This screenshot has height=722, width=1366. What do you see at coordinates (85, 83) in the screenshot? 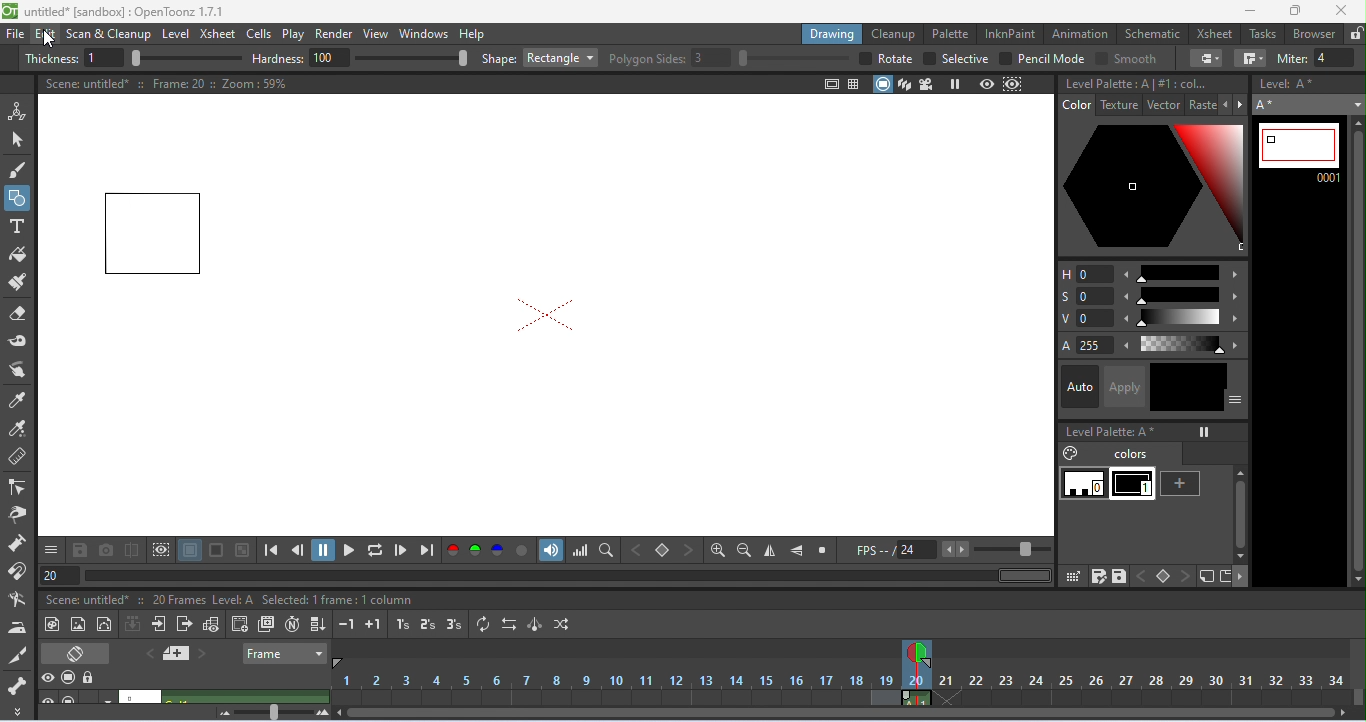
I see `scene untitled` at bounding box center [85, 83].